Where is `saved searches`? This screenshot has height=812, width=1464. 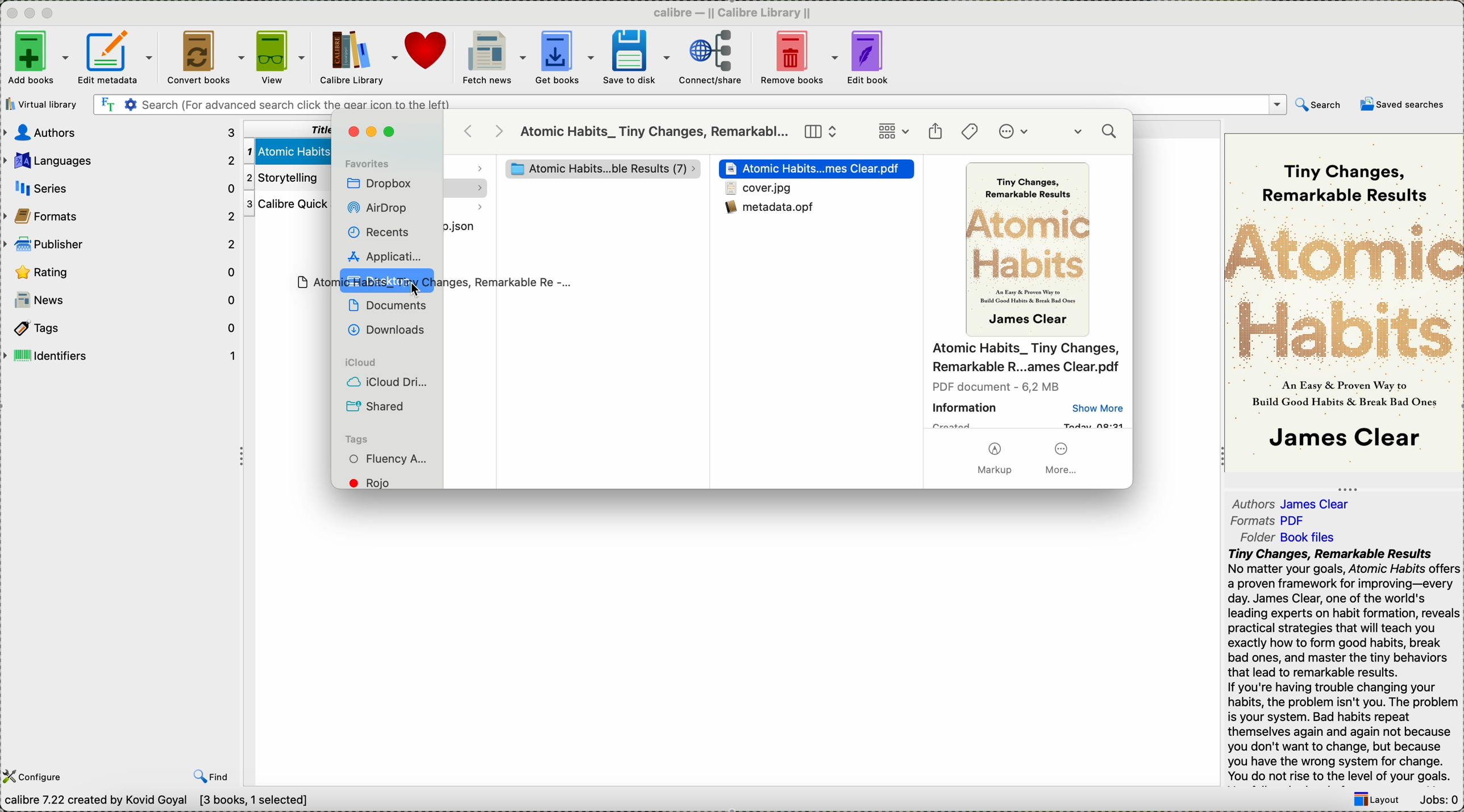
saved searches is located at coordinates (1403, 104).